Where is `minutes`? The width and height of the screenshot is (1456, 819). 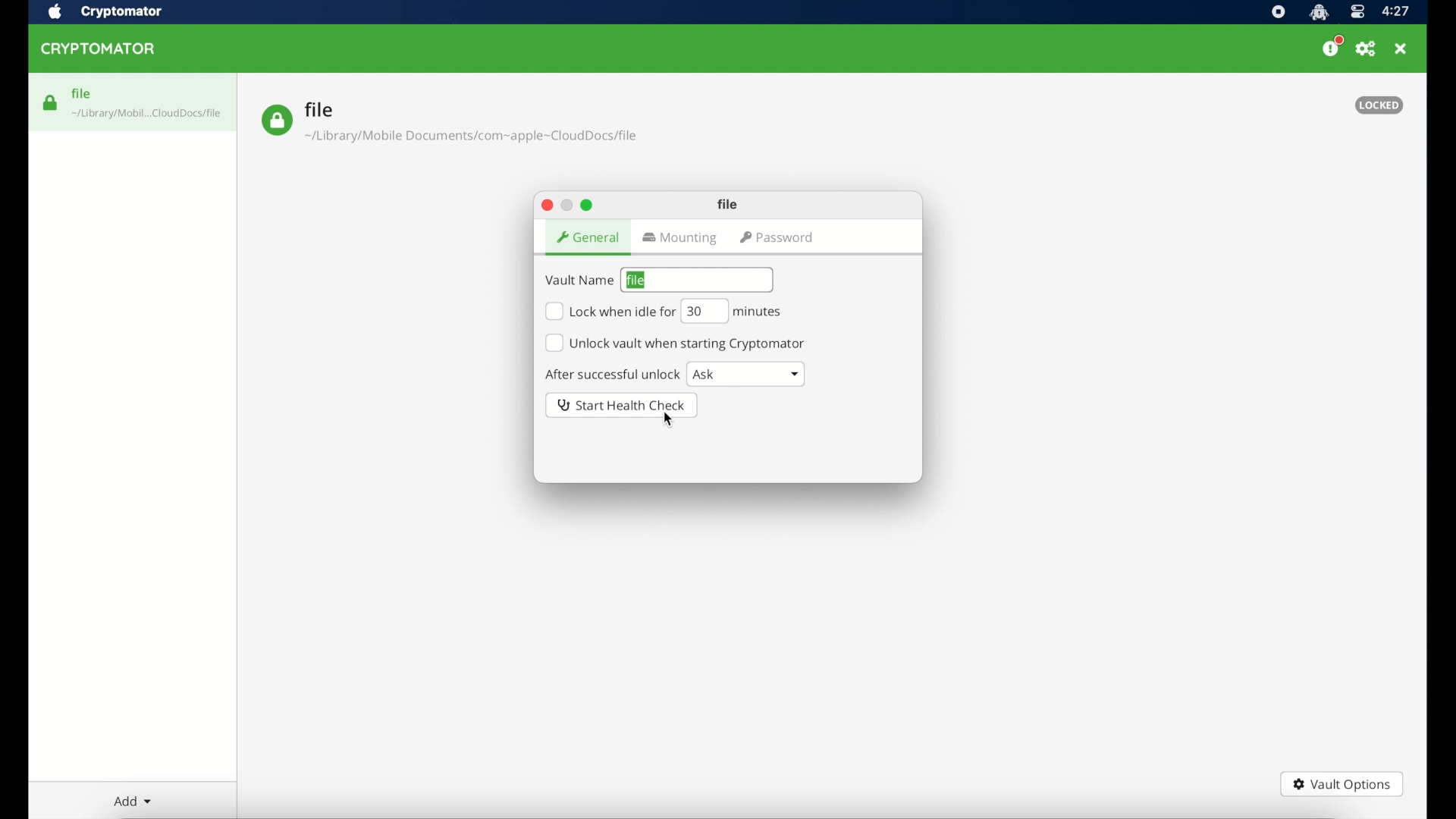 minutes is located at coordinates (761, 312).